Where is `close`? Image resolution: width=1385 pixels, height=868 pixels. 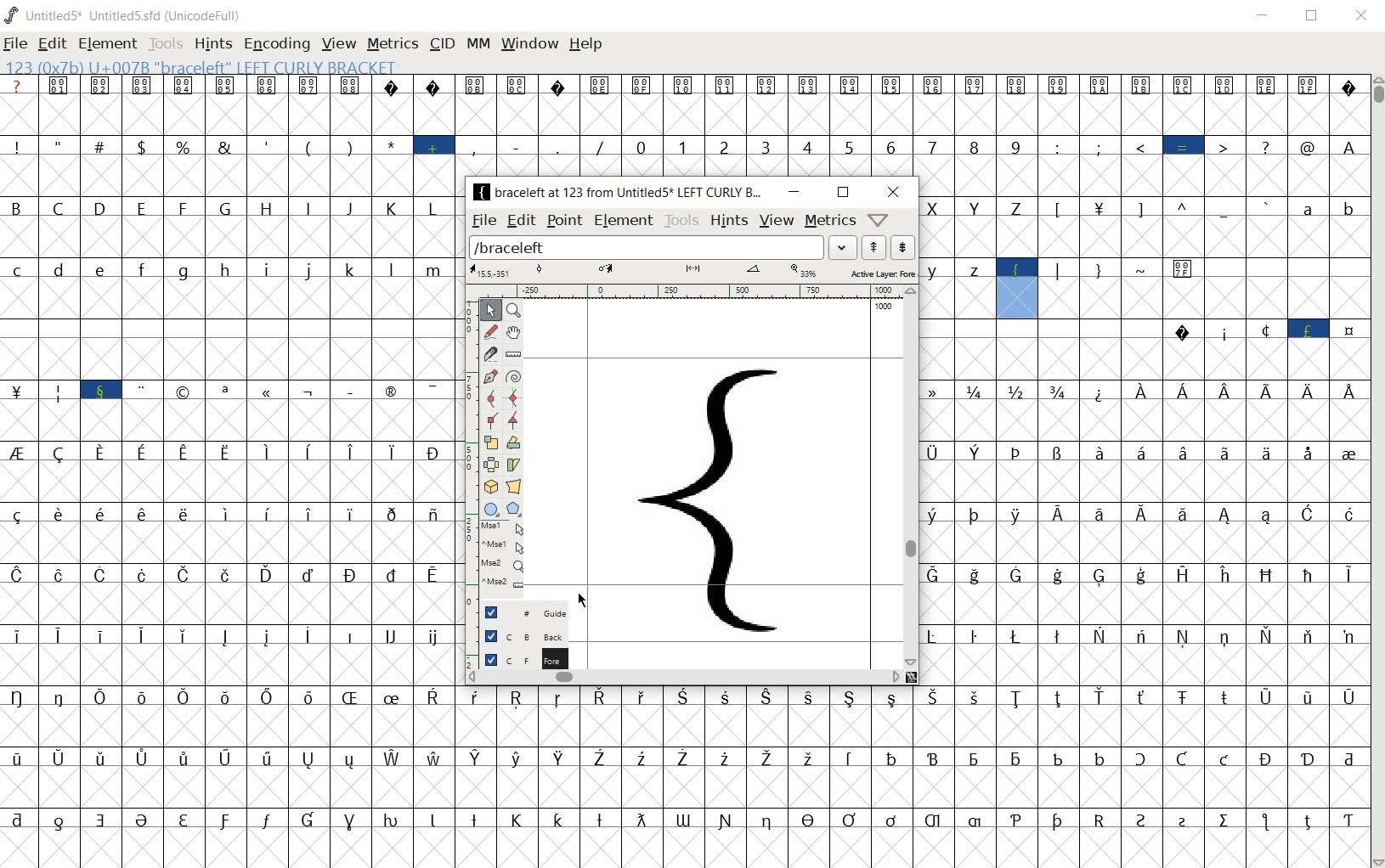 close is located at coordinates (892, 193).